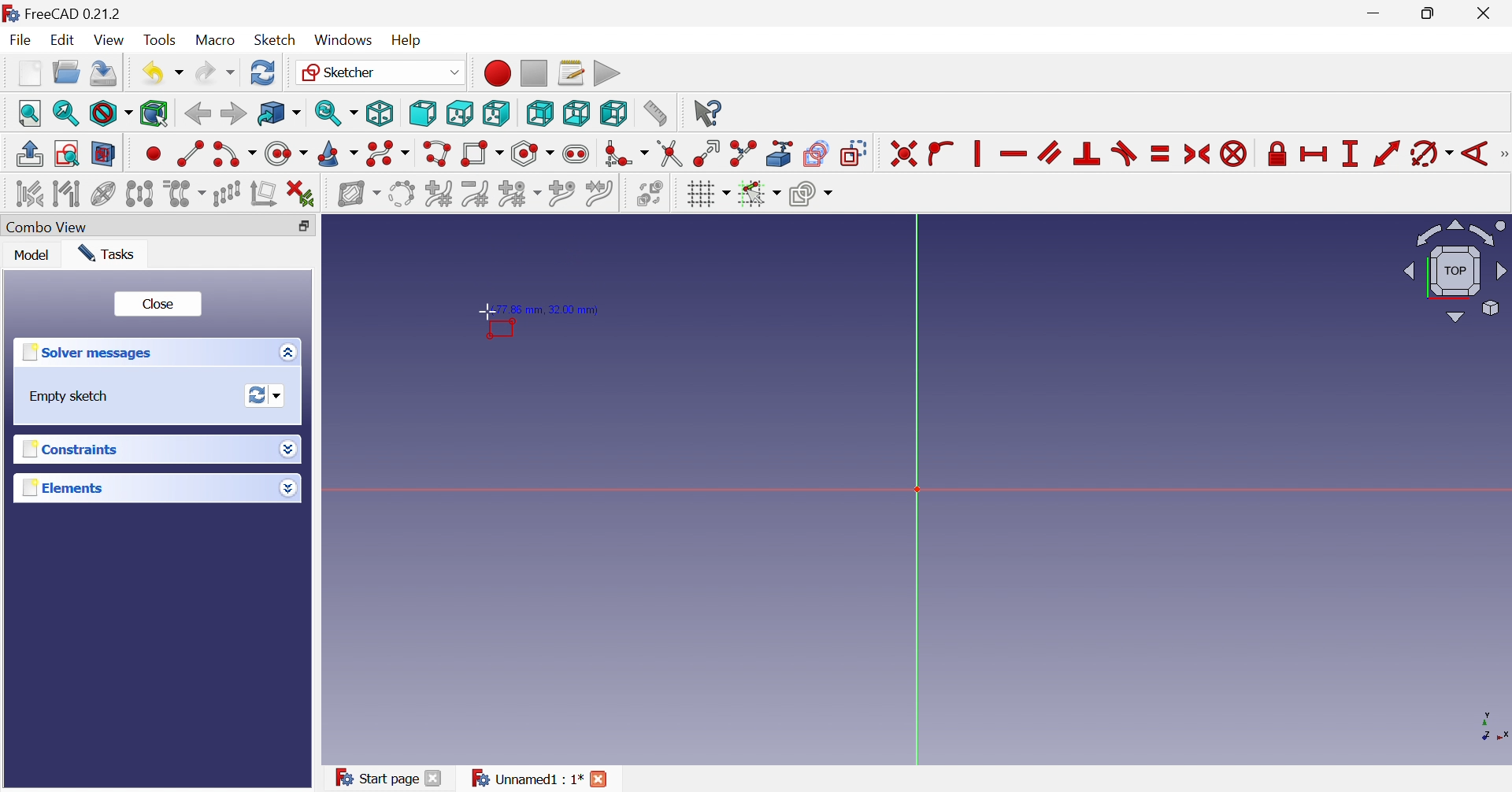 This screenshot has width=1512, height=792. What do you see at coordinates (1126, 153) in the screenshot?
I see `Constrain tangent` at bounding box center [1126, 153].